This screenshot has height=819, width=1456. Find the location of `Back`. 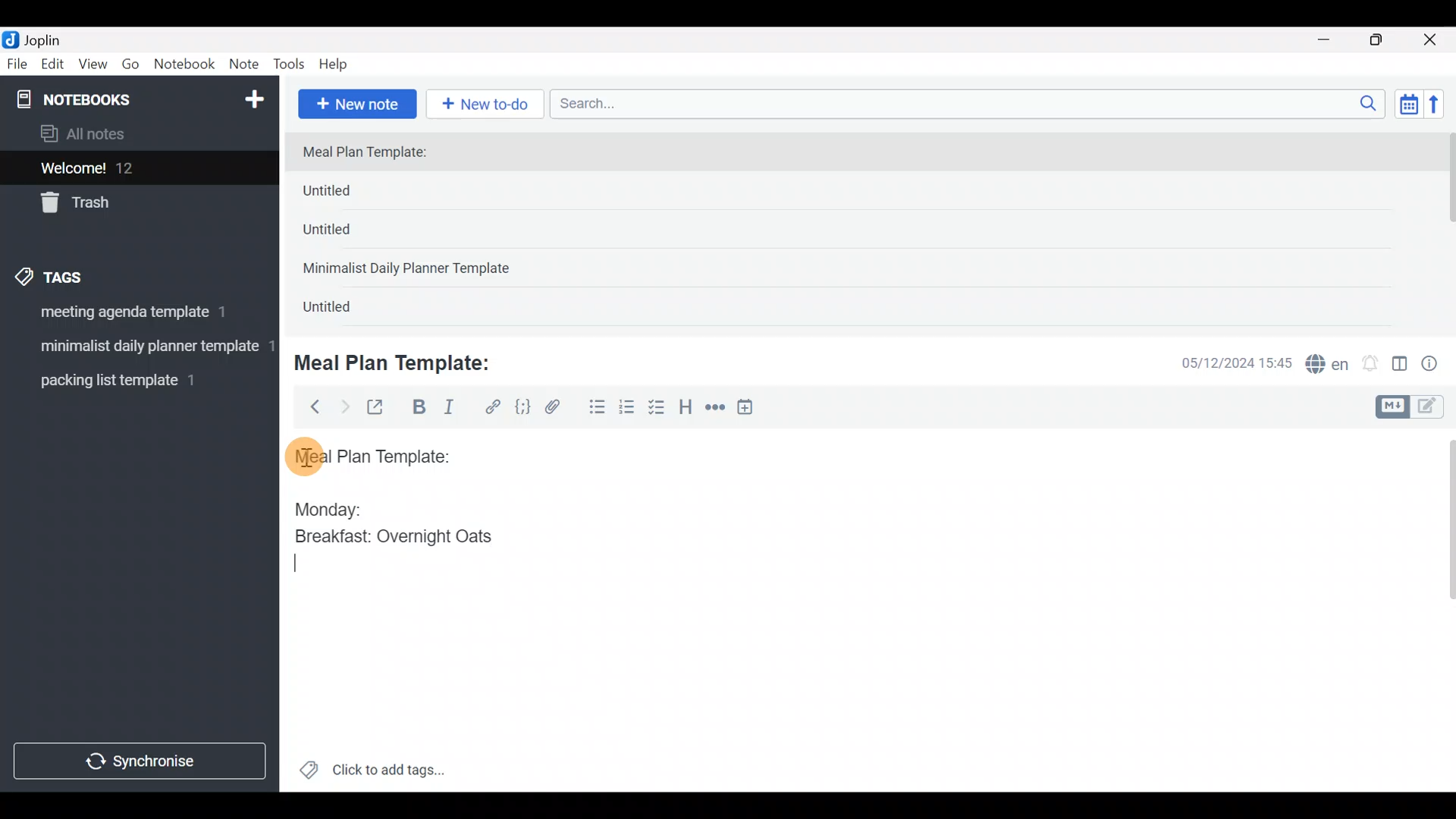

Back is located at coordinates (309, 406).